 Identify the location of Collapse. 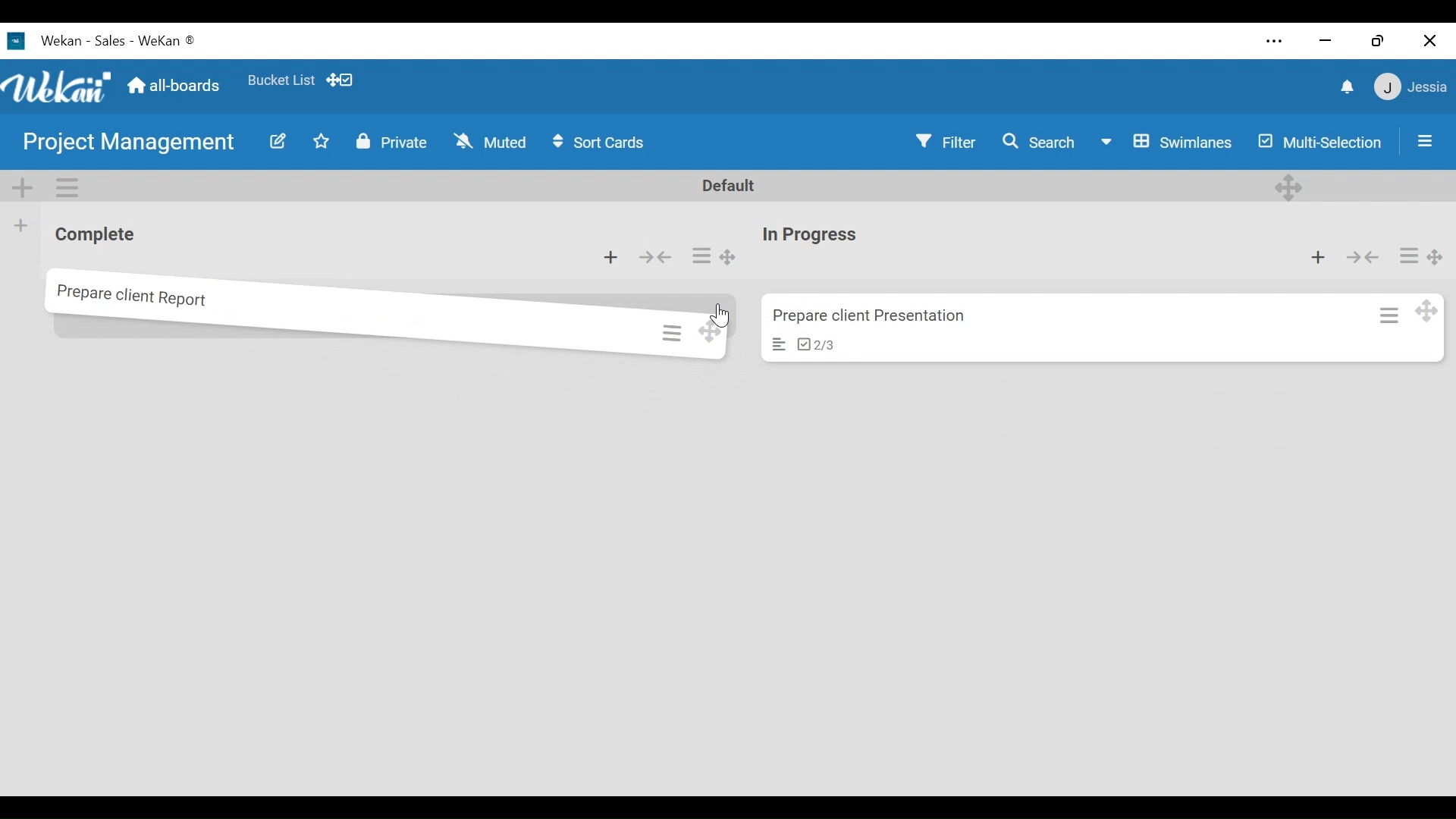
(658, 258).